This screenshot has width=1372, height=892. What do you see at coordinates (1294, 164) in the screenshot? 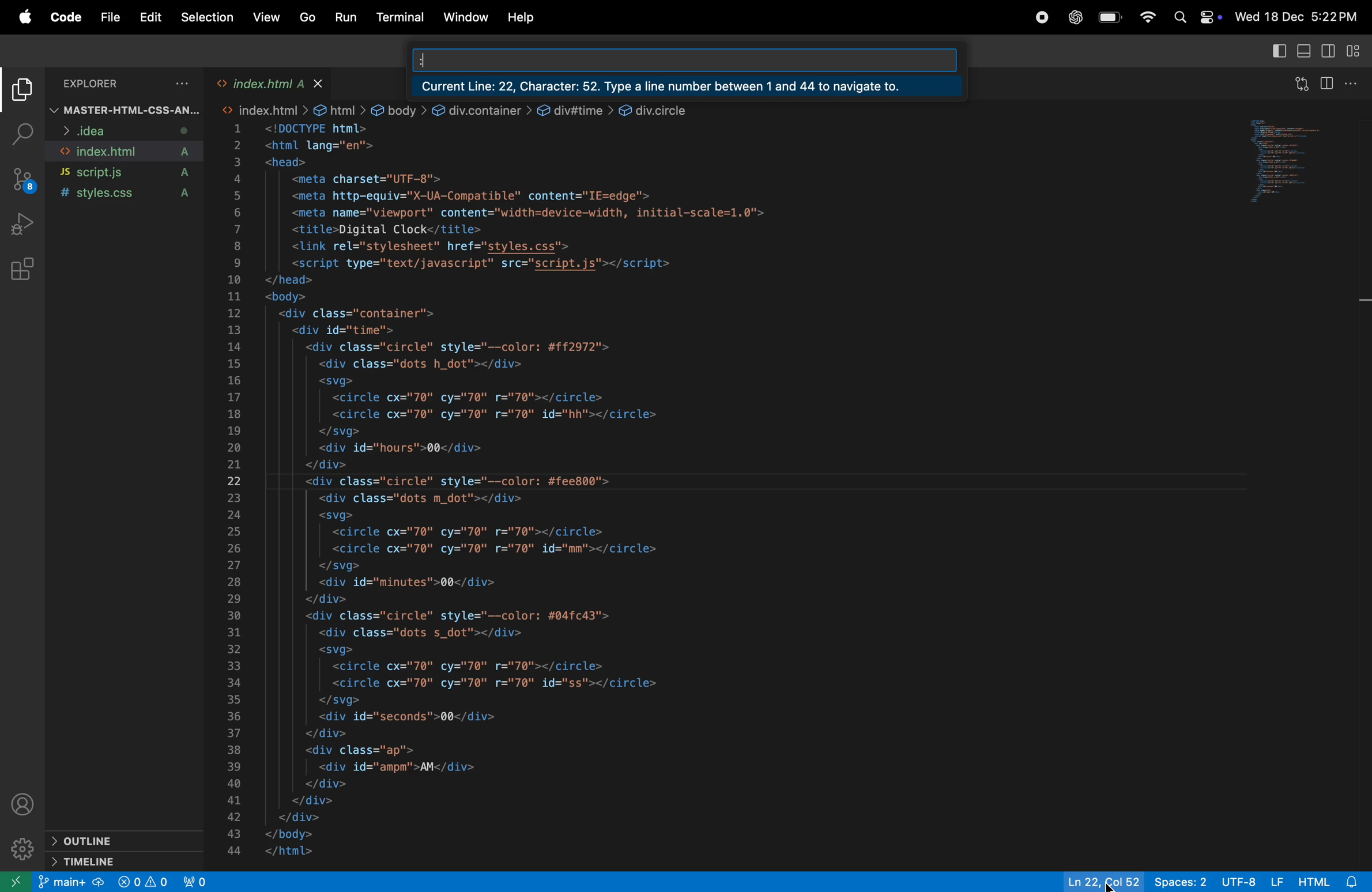
I see `code window` at bounding box center [1294, 164].